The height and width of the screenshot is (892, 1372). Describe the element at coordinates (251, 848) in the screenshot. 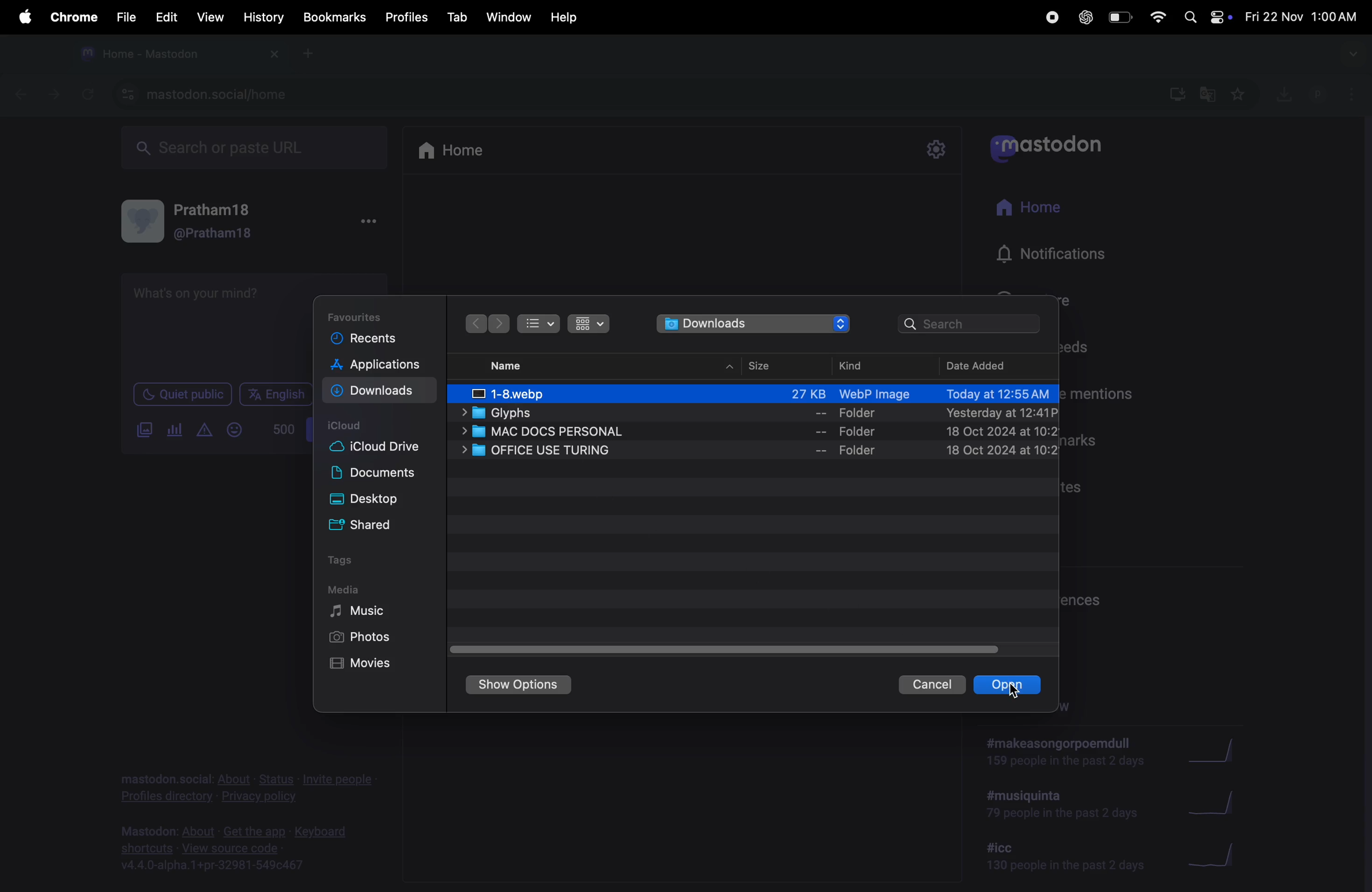

I see `source code` at that location.